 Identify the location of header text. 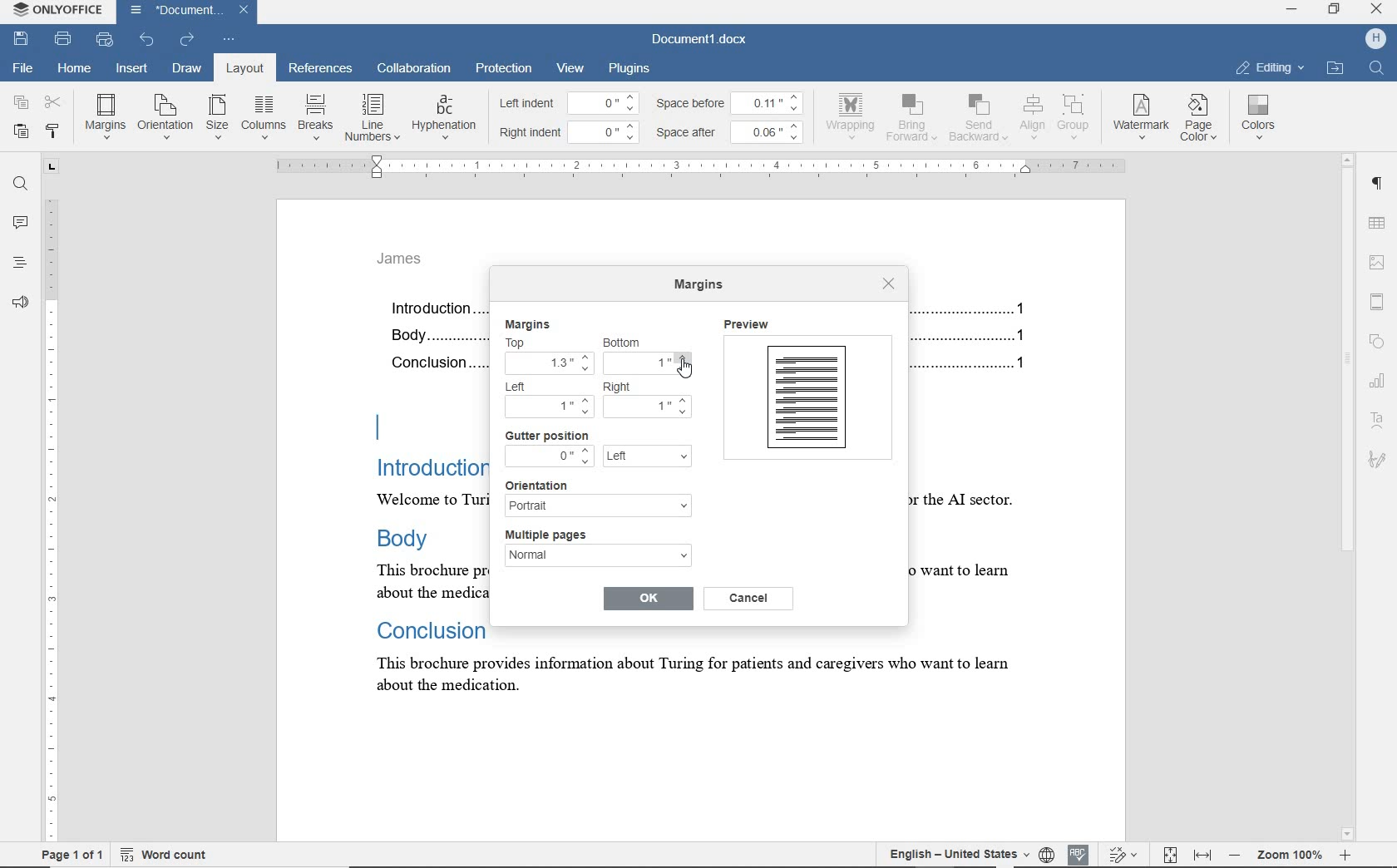
(407, 264).